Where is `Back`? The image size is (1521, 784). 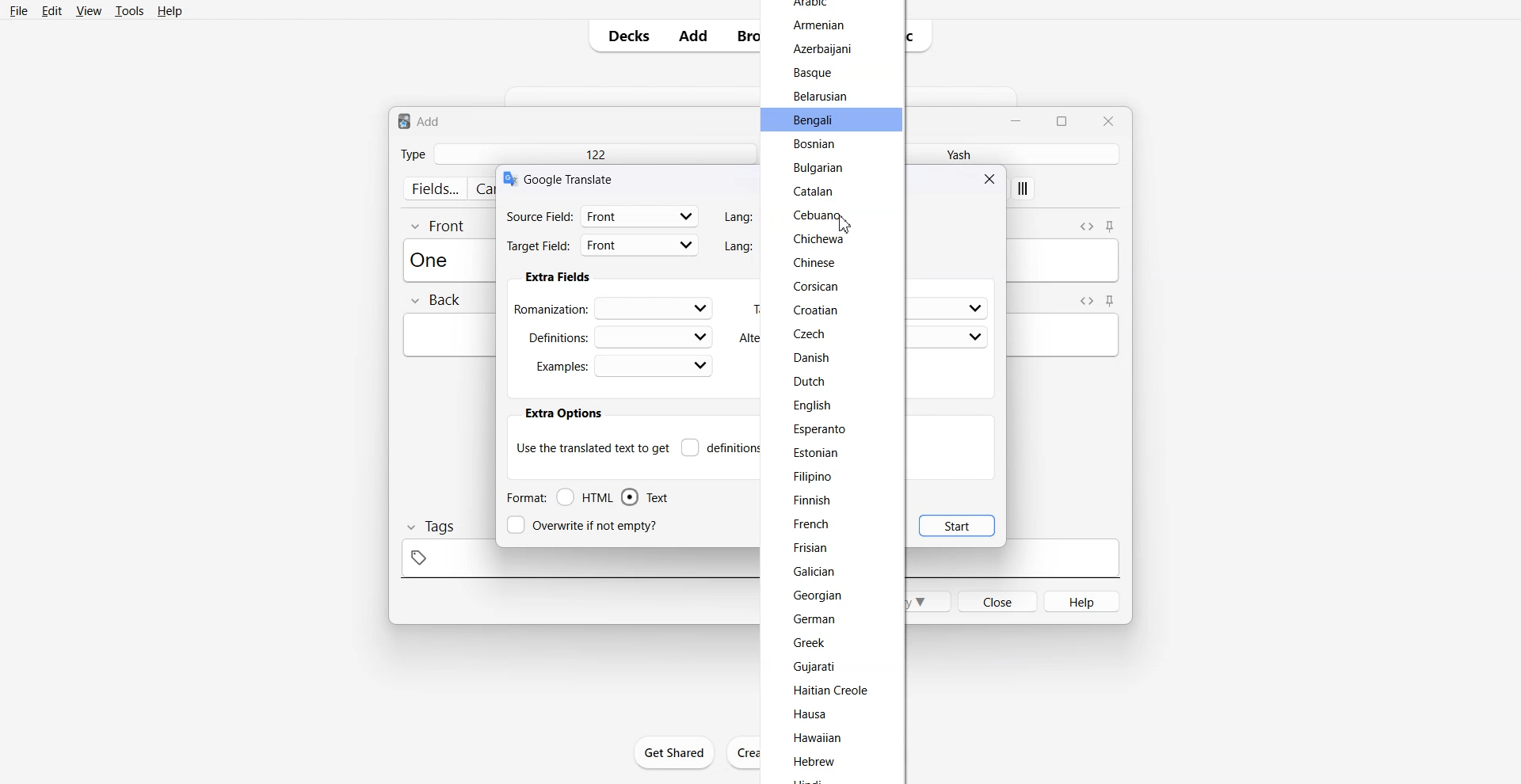 Back is located at coordinates (435, 301).